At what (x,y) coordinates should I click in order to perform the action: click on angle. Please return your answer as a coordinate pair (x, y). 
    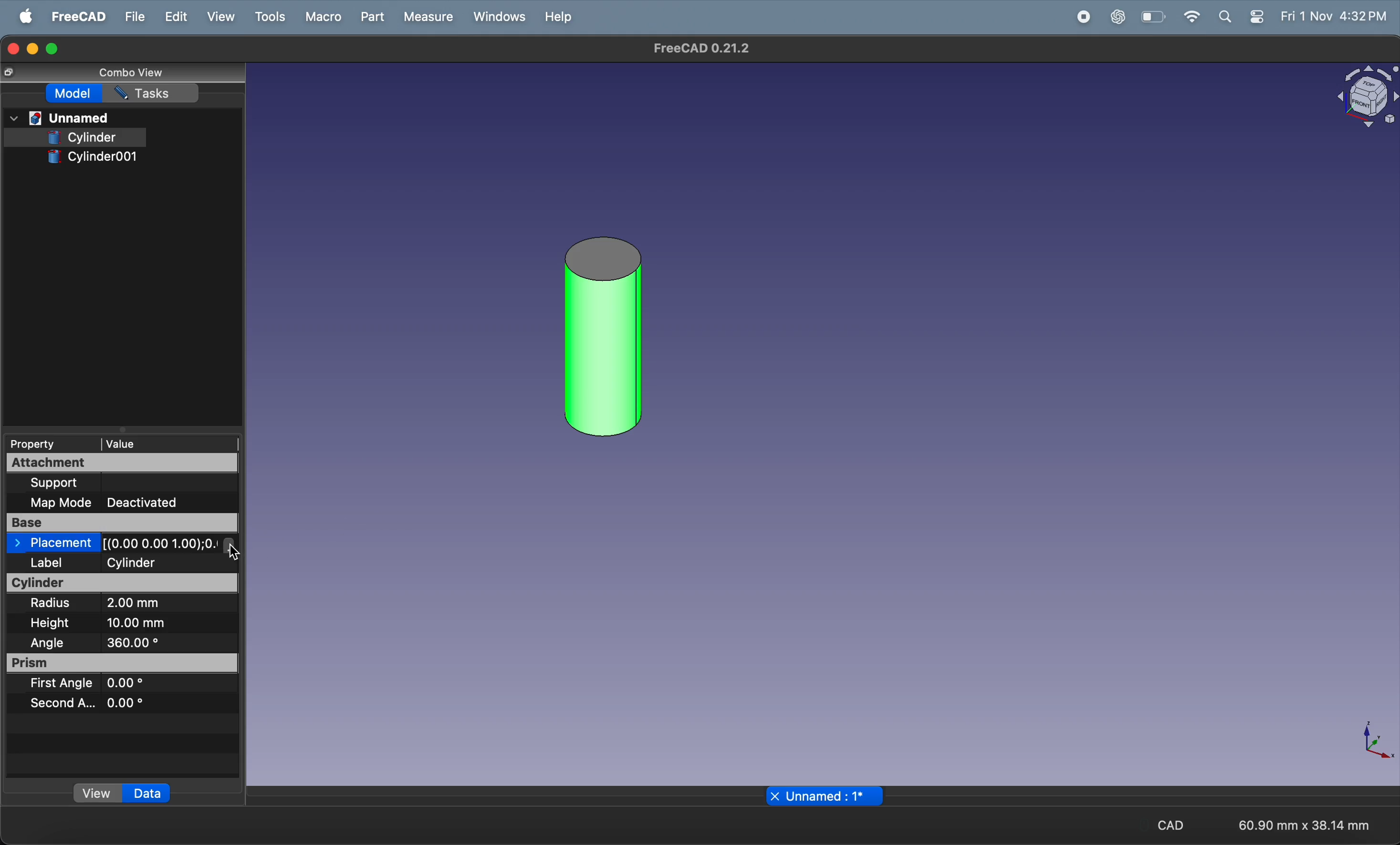
    Looking at the image, I should click on (47, 643).